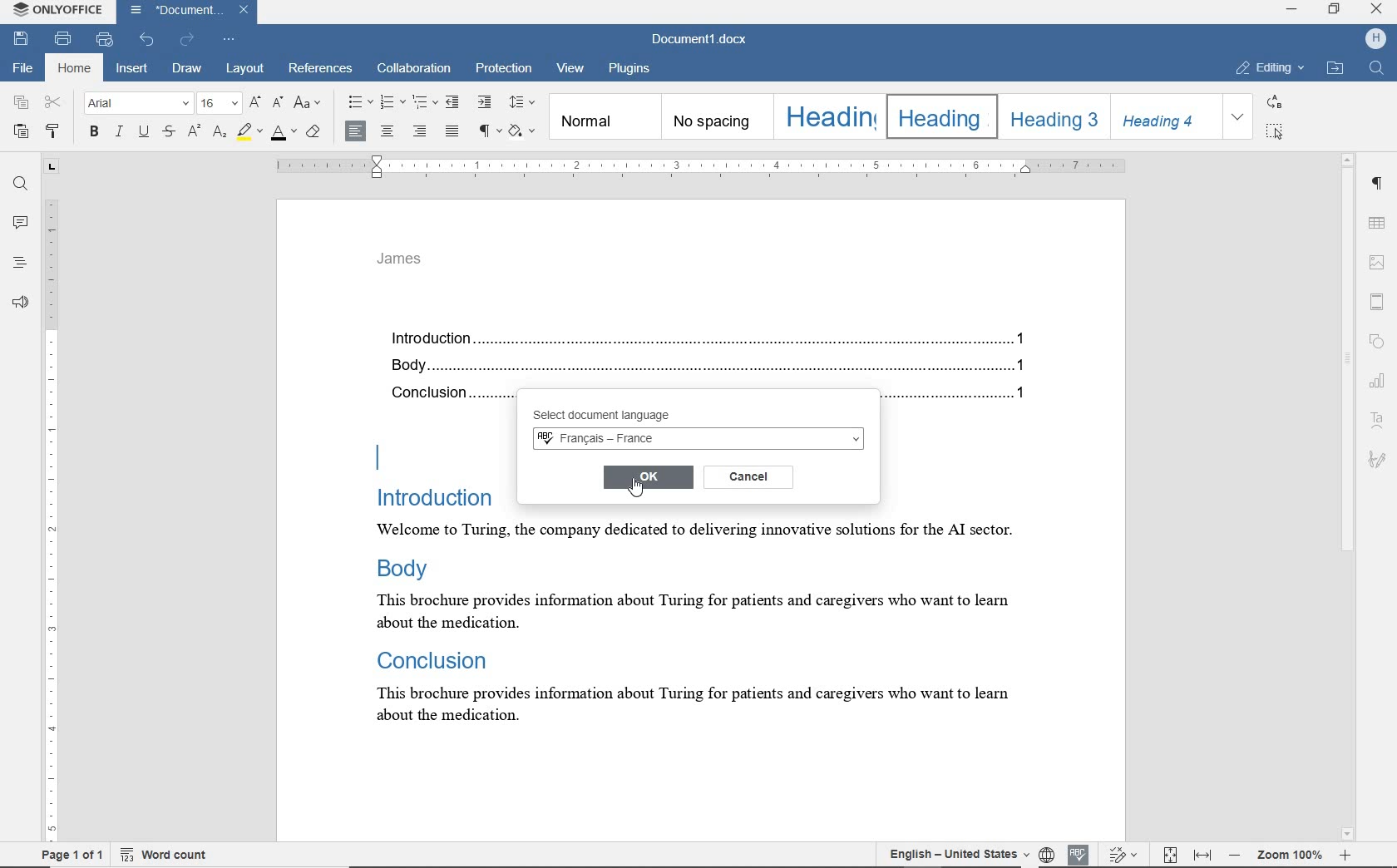  Describe the element at coordinates (52, 504) in the screenshot. I see `ruler` at that location.